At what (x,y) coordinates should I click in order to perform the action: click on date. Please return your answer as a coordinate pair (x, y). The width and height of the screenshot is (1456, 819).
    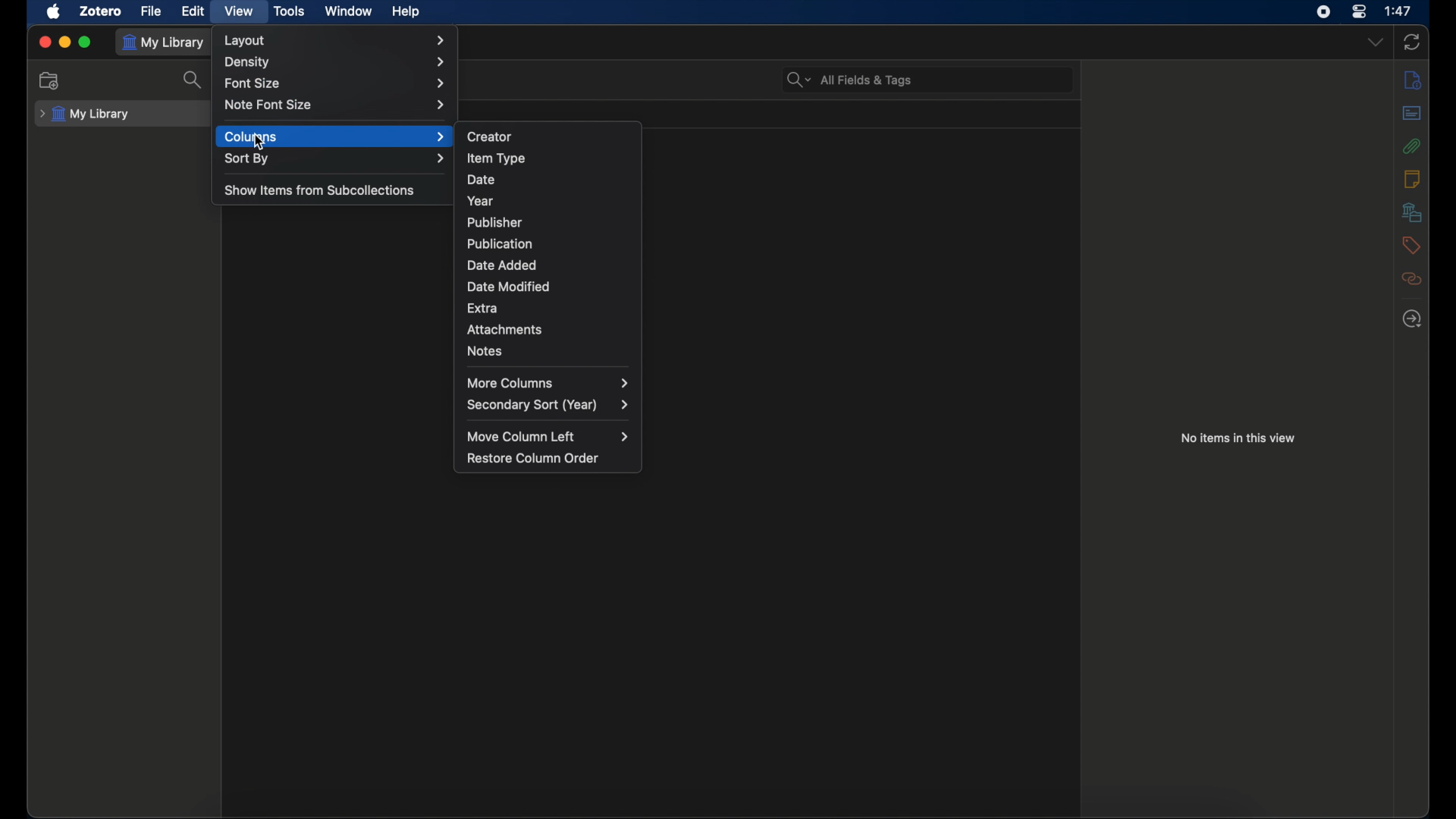
    Looking at the image, I should click on (481, 179).